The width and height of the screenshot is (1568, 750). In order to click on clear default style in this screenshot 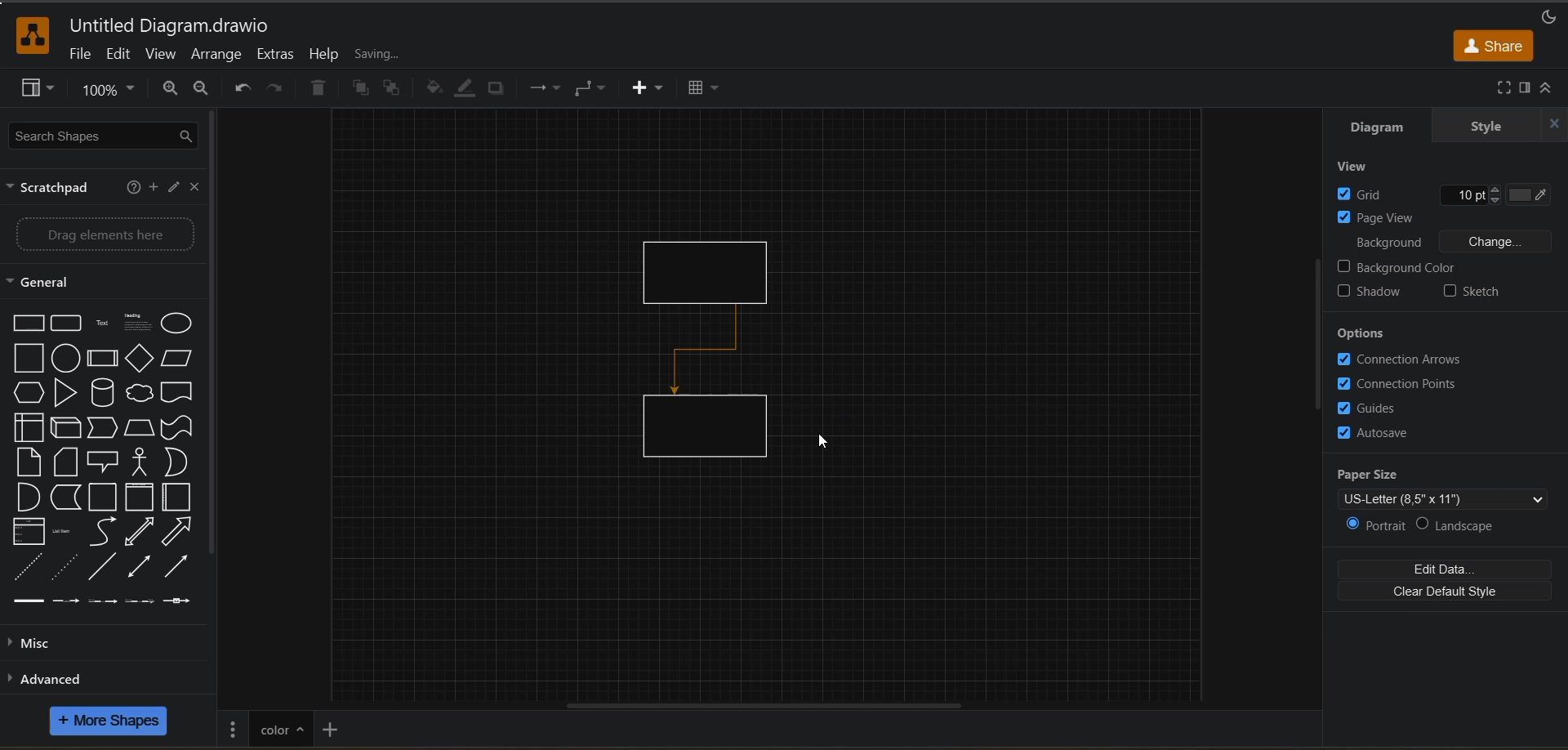, I will do `click(1450, 593)`.